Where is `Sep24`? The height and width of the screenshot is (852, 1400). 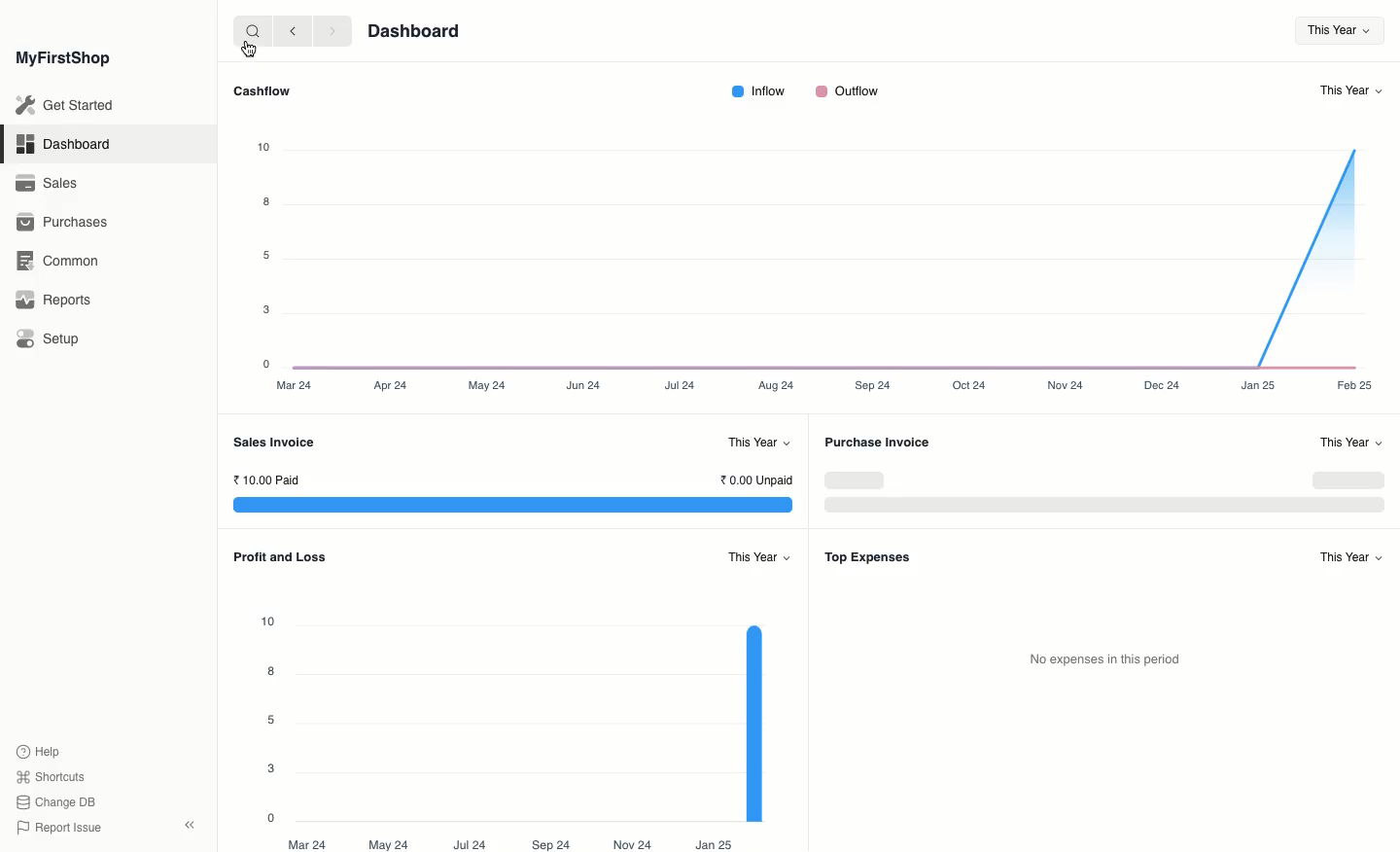
Sep24 is located at coordinates (873, 385).